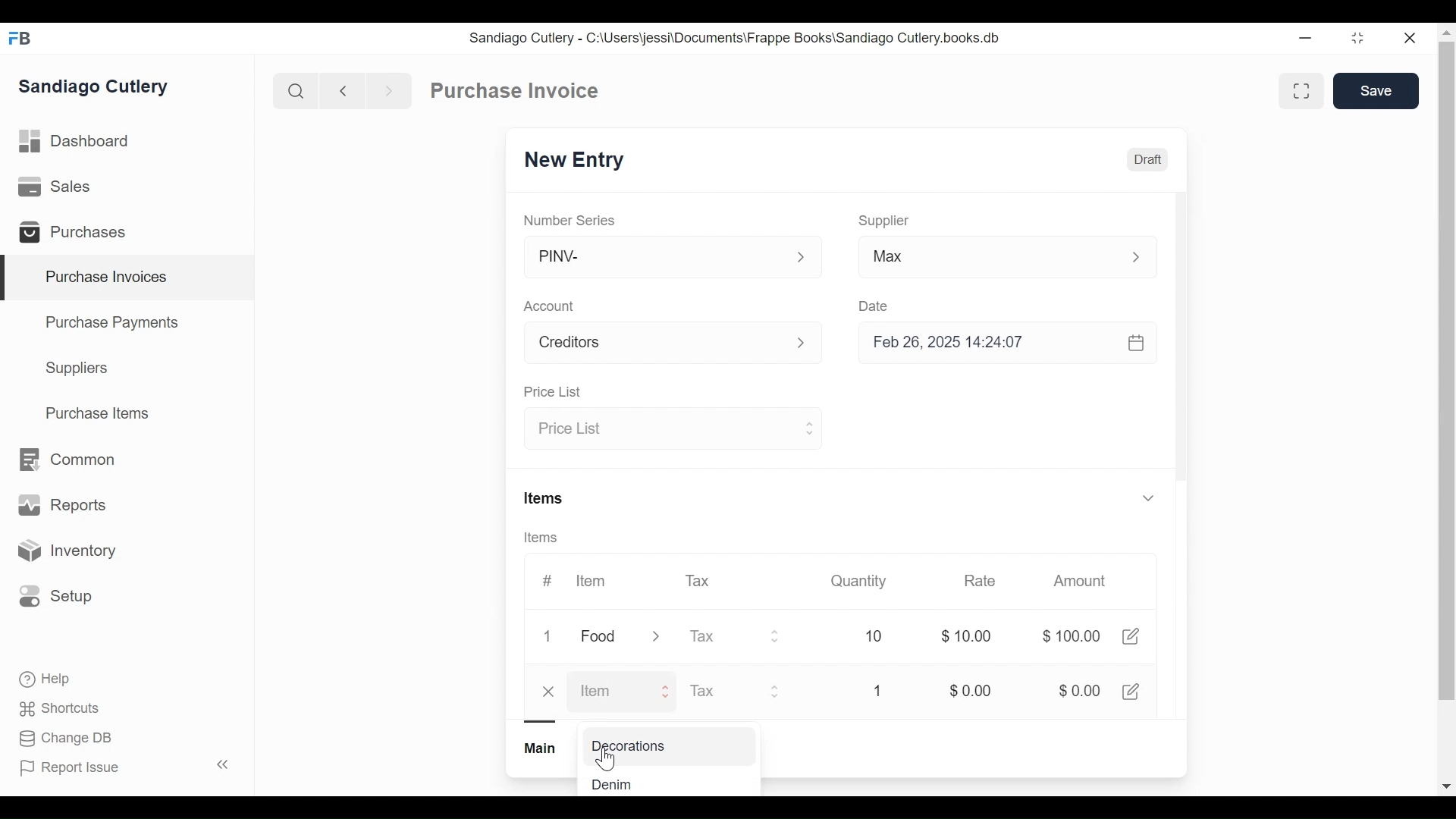  What do you see at coordinates (25, 39) in the screenshot?
I see `Frappe Books Desktop icon` at bounding box center [25, 39].